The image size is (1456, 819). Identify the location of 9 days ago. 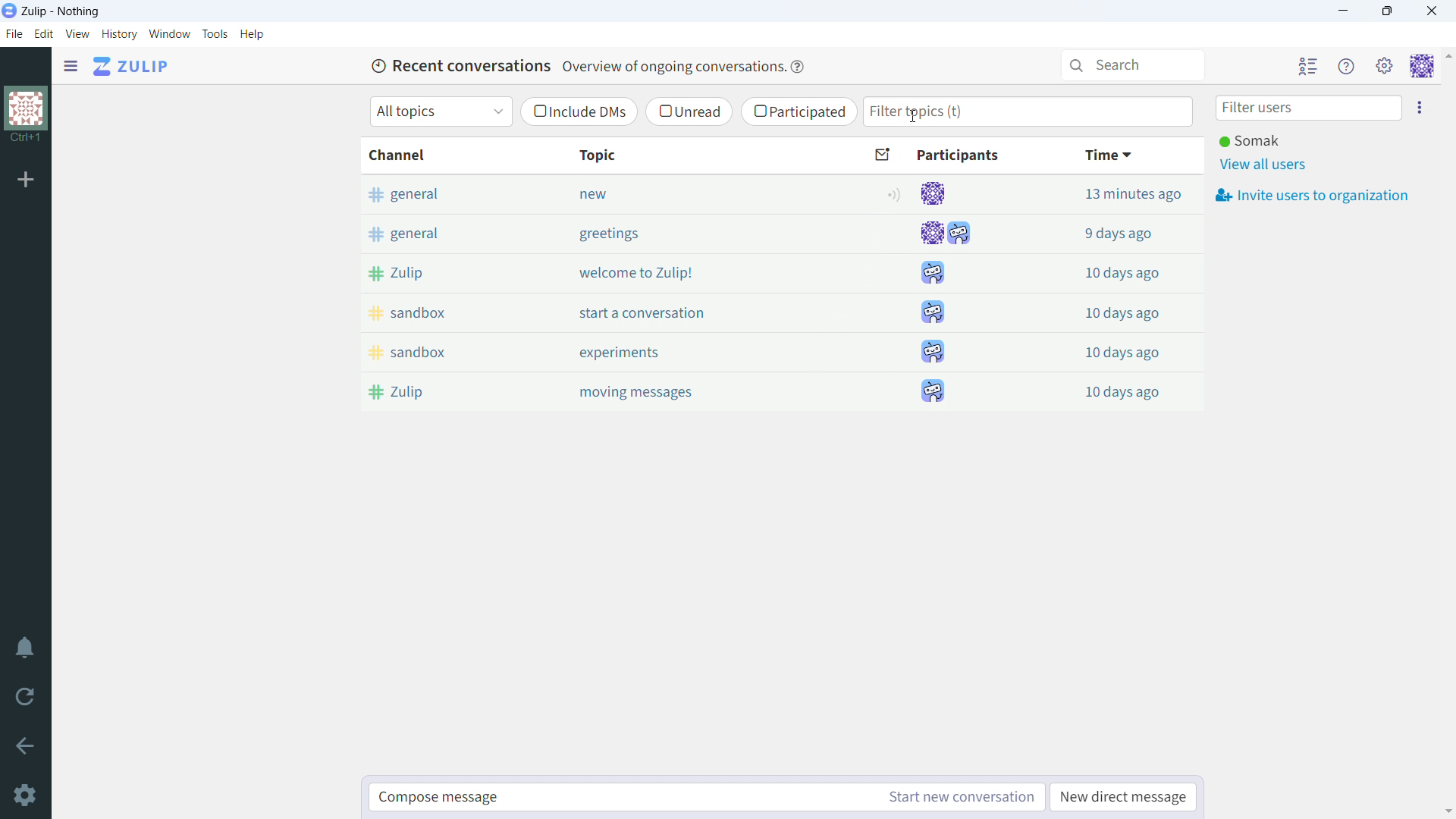
(1106, 231).